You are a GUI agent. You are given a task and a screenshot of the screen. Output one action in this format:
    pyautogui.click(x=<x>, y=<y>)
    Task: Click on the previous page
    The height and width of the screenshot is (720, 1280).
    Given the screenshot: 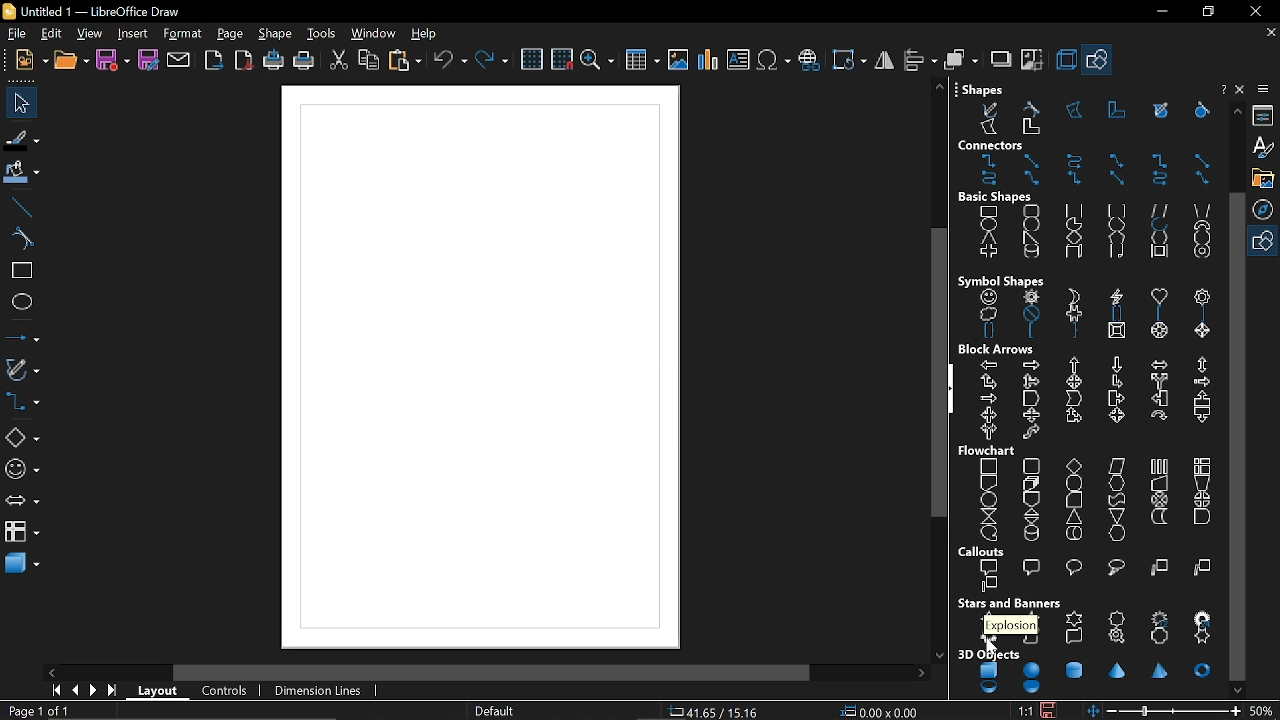 What is the action you would take?
    pyautogui.click(x=75, y=691)
    